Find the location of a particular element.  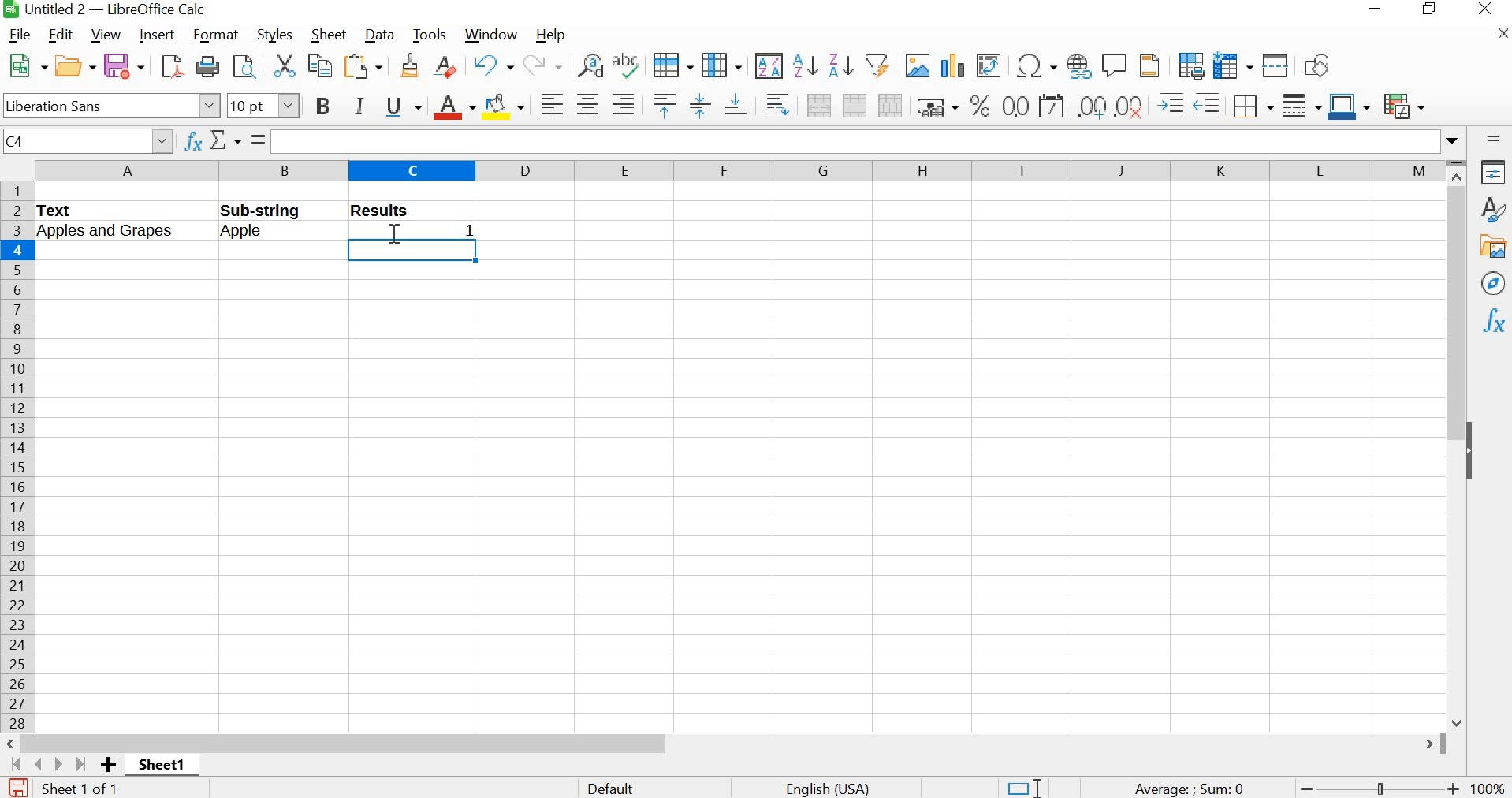

styles is located at coordinates (272, 33).